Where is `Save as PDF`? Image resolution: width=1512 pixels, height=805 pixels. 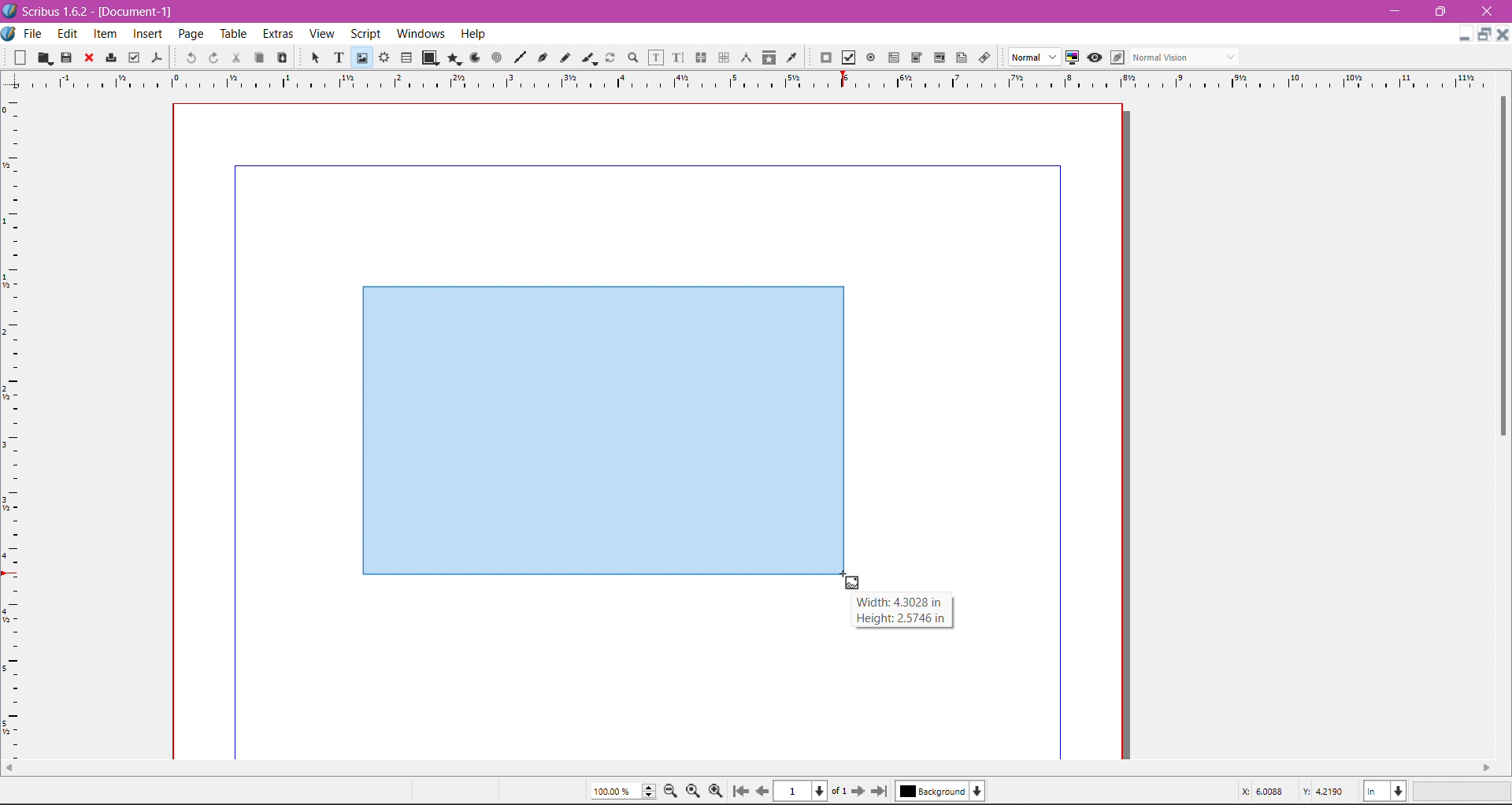
Save as PDF is located at coordinates (159, 57).